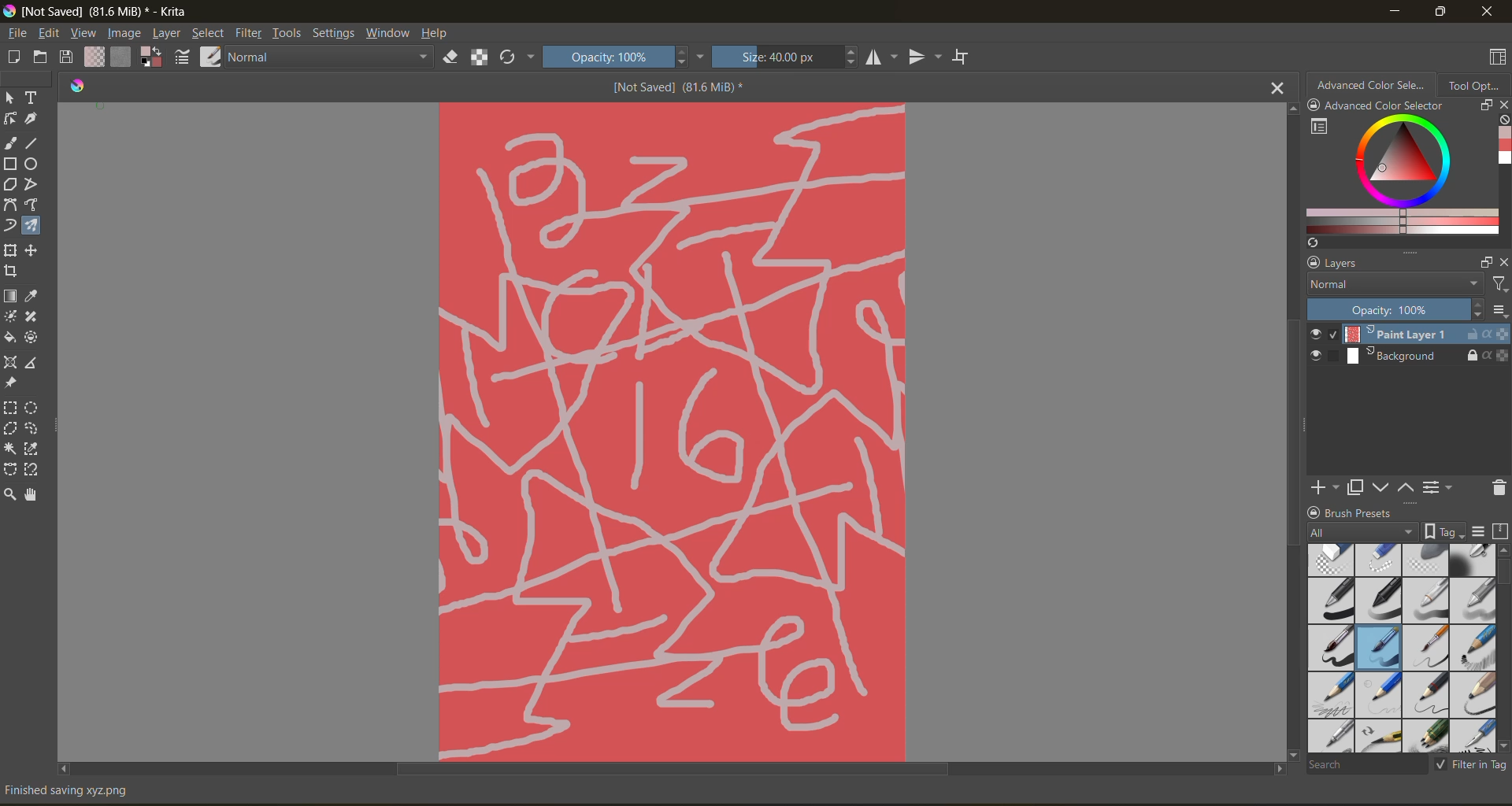 This screenshot has height=806, width=1512. I want to click on tool, so click(31, 449).